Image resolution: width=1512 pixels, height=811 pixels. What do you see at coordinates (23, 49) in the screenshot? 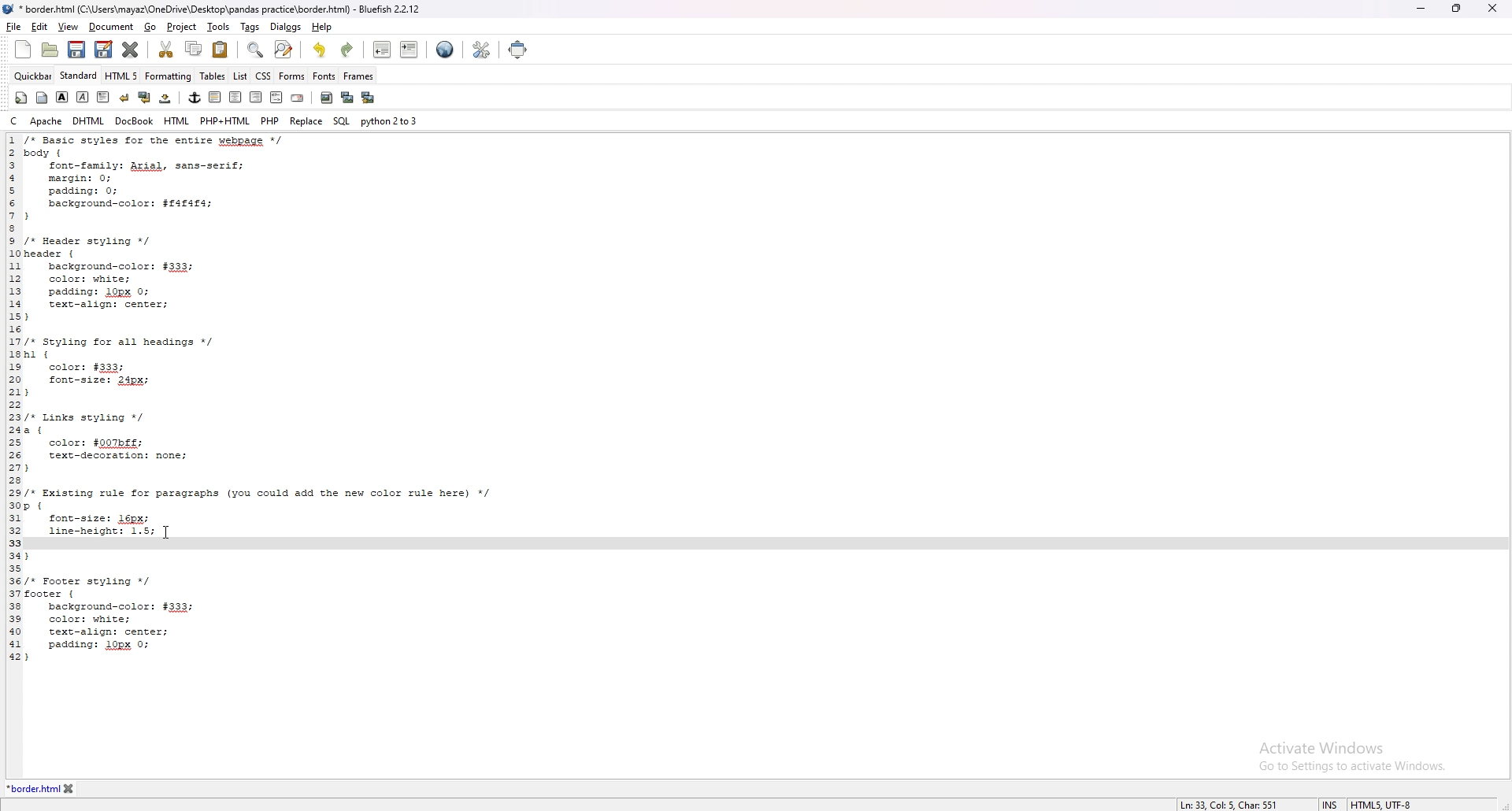
I see `new` at bounding box center [23, 49].